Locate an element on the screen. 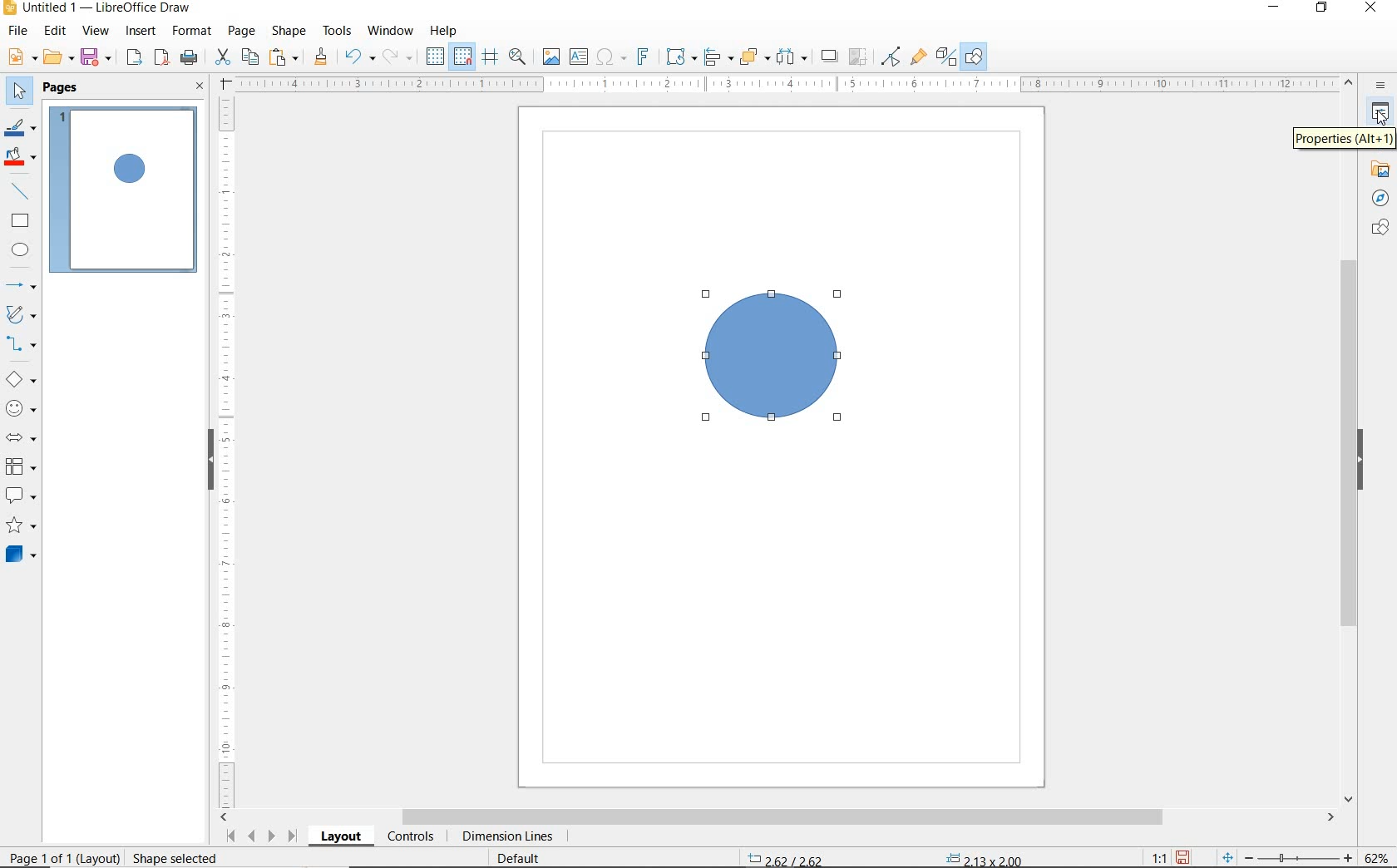 Image resolution: width=1397 pixels, height=868 pixels. LINES AND ARROWS is located at coordinates (23, 283).